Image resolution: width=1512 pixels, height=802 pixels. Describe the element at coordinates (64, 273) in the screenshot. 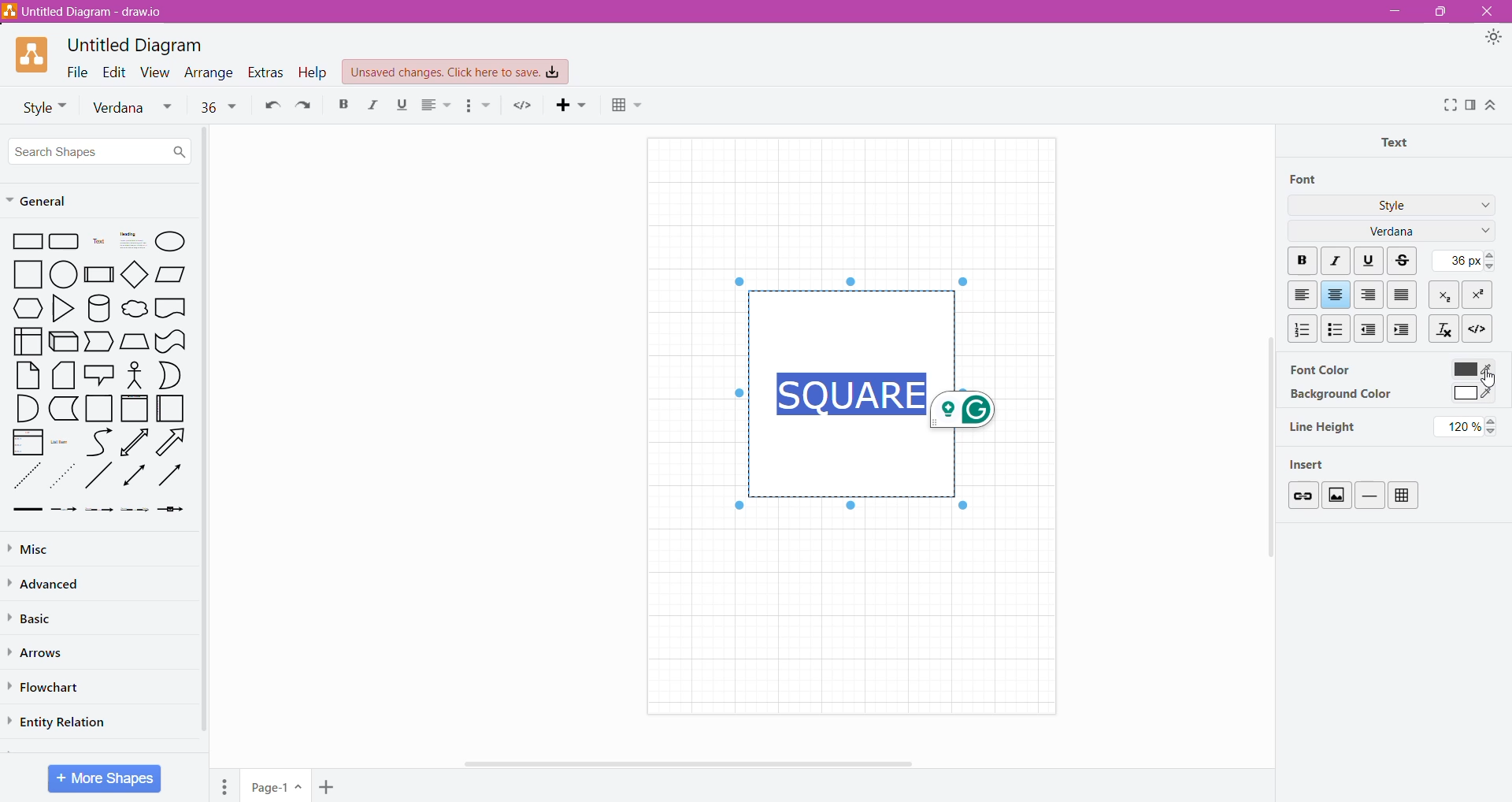

I see `circle` at that location.